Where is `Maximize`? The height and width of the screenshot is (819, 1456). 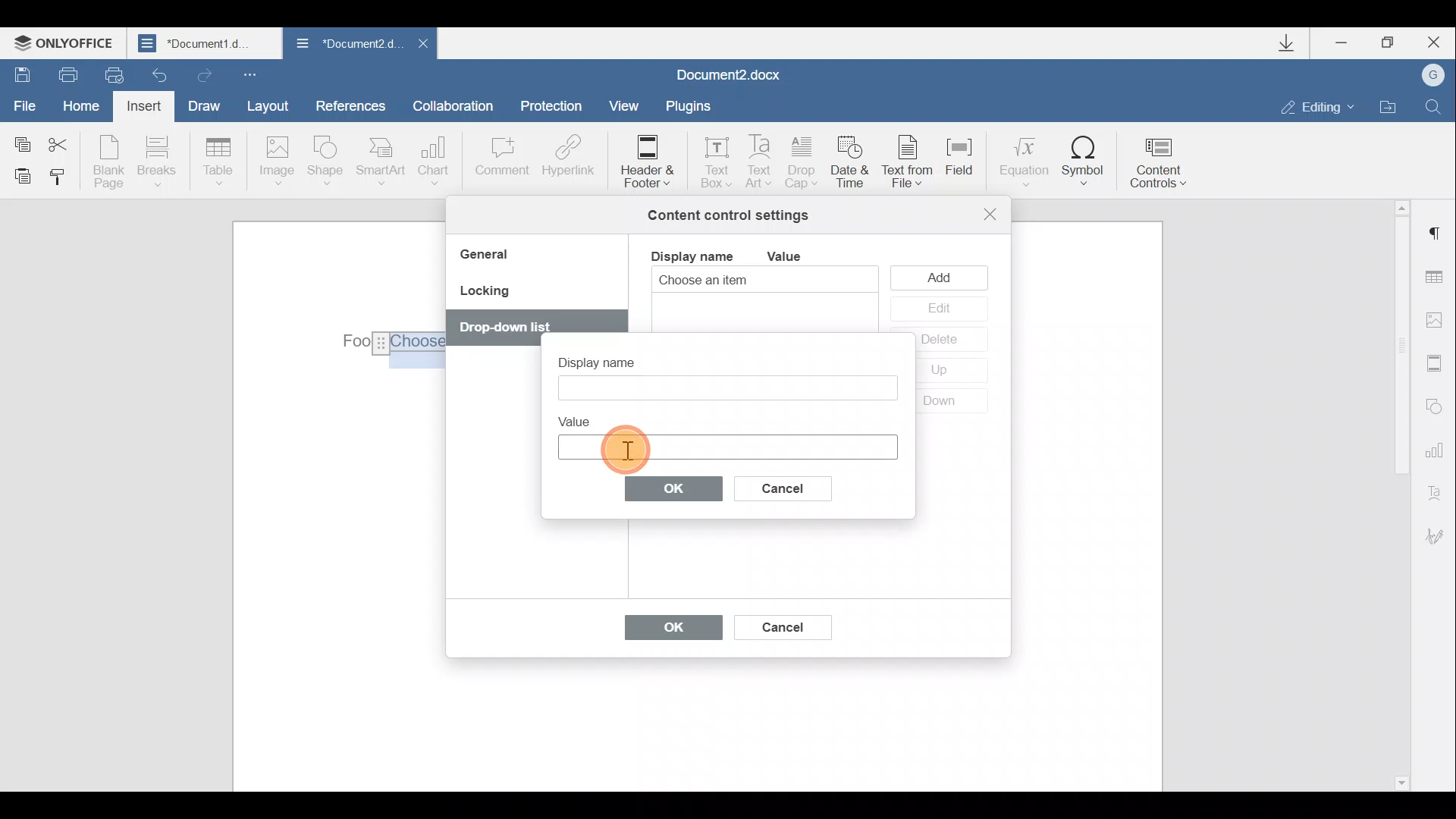
Maximize is located at coordinates (1389, 43).